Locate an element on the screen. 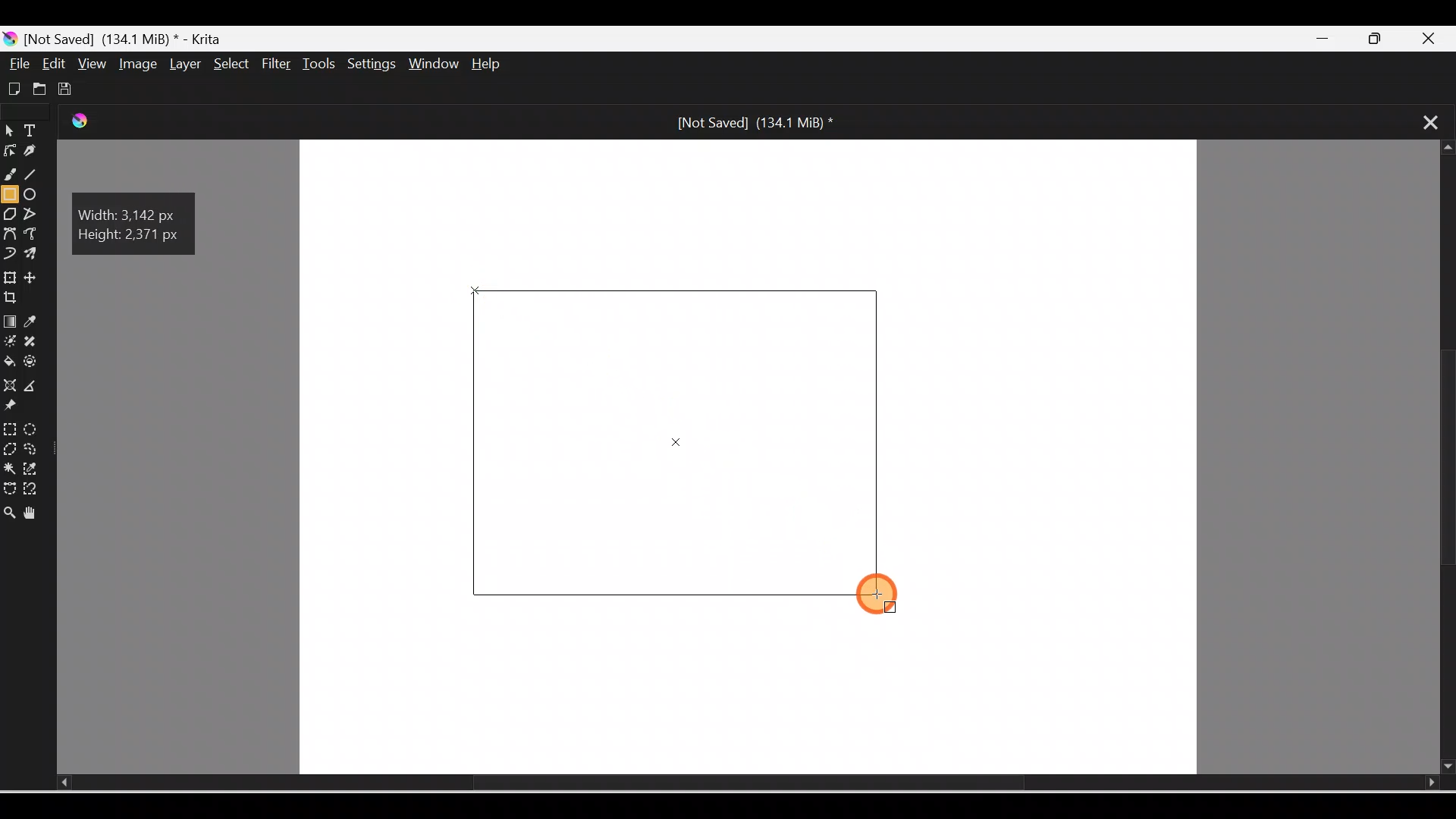 The width and height of the screenshot is (1456, 819). Edit shapes tool is located at coordinates (9, 155).